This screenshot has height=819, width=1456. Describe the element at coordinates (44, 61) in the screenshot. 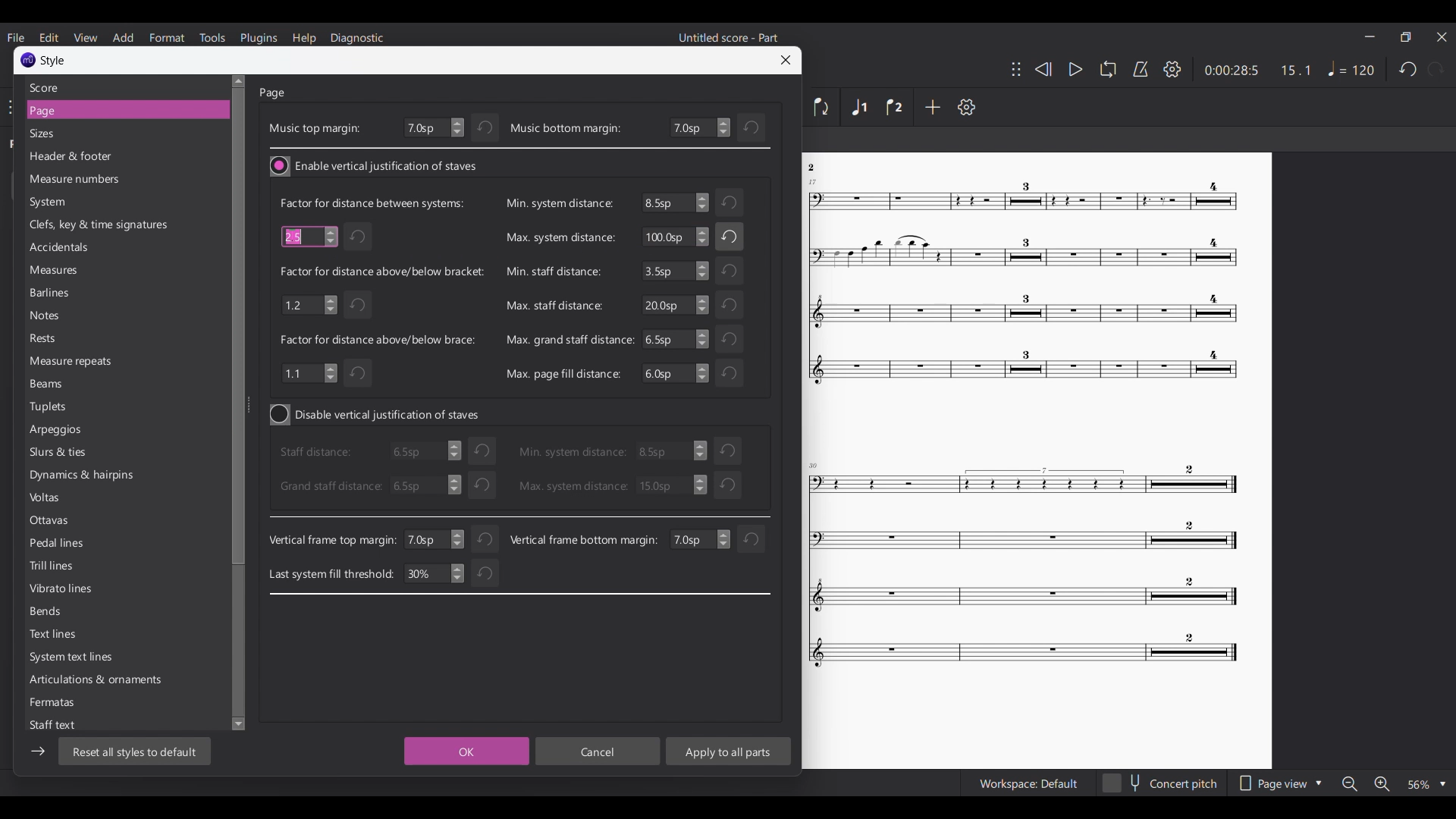

I see `Window title` at that location.